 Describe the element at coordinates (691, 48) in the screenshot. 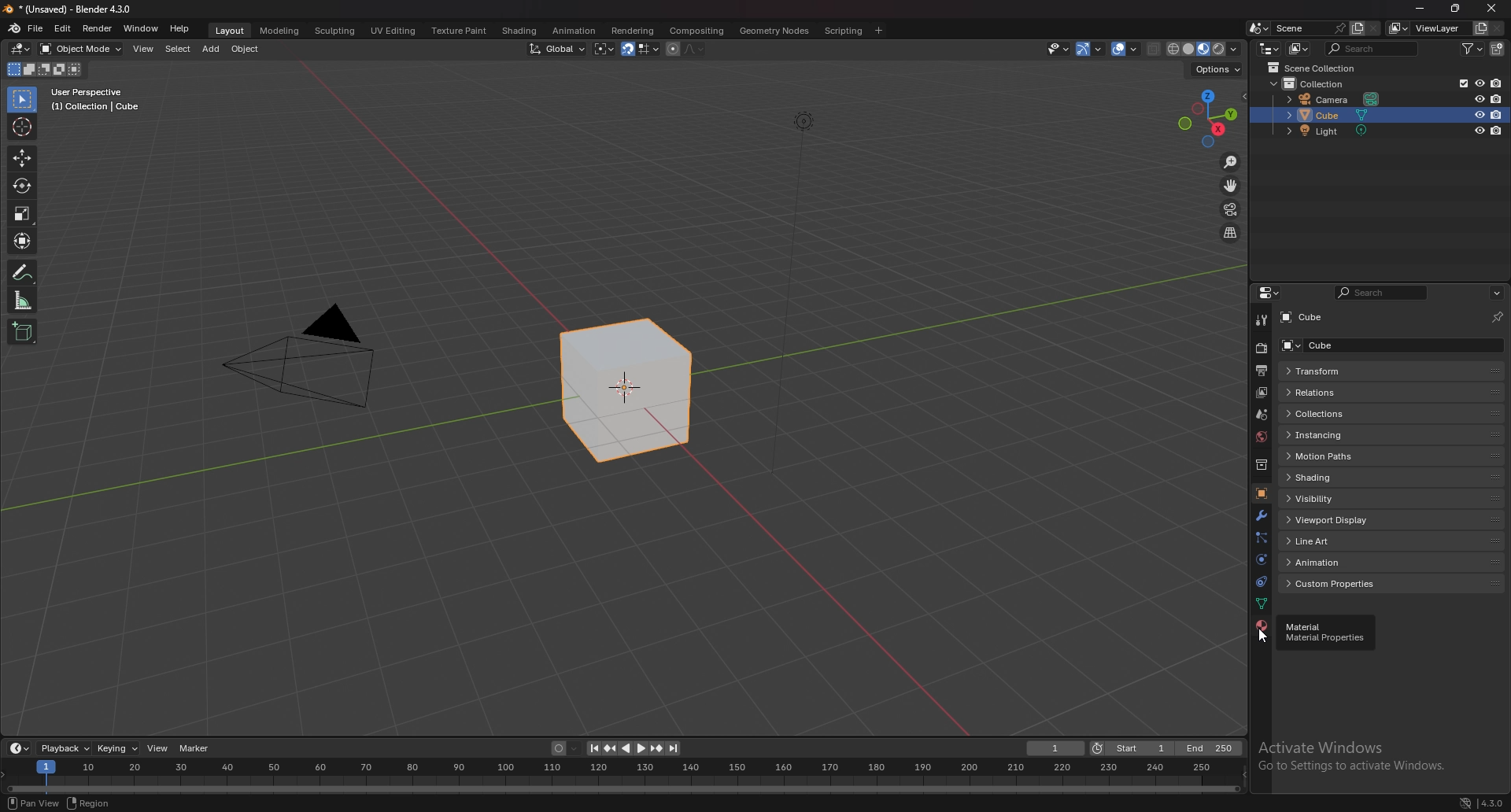

I see `proportional editing fall off` at that location.